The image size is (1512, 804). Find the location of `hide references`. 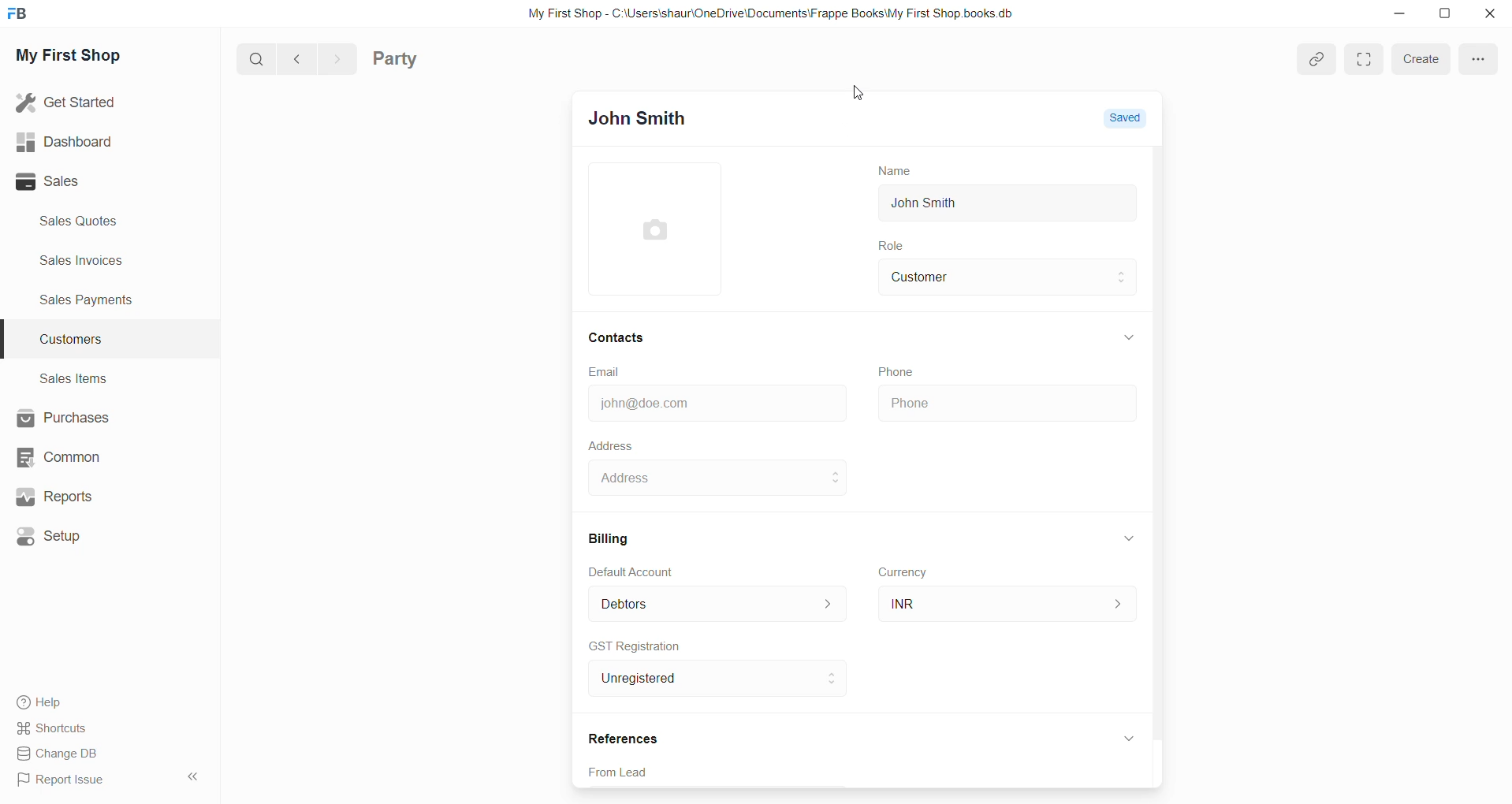

hide references is located at coordinates (1130, 737).